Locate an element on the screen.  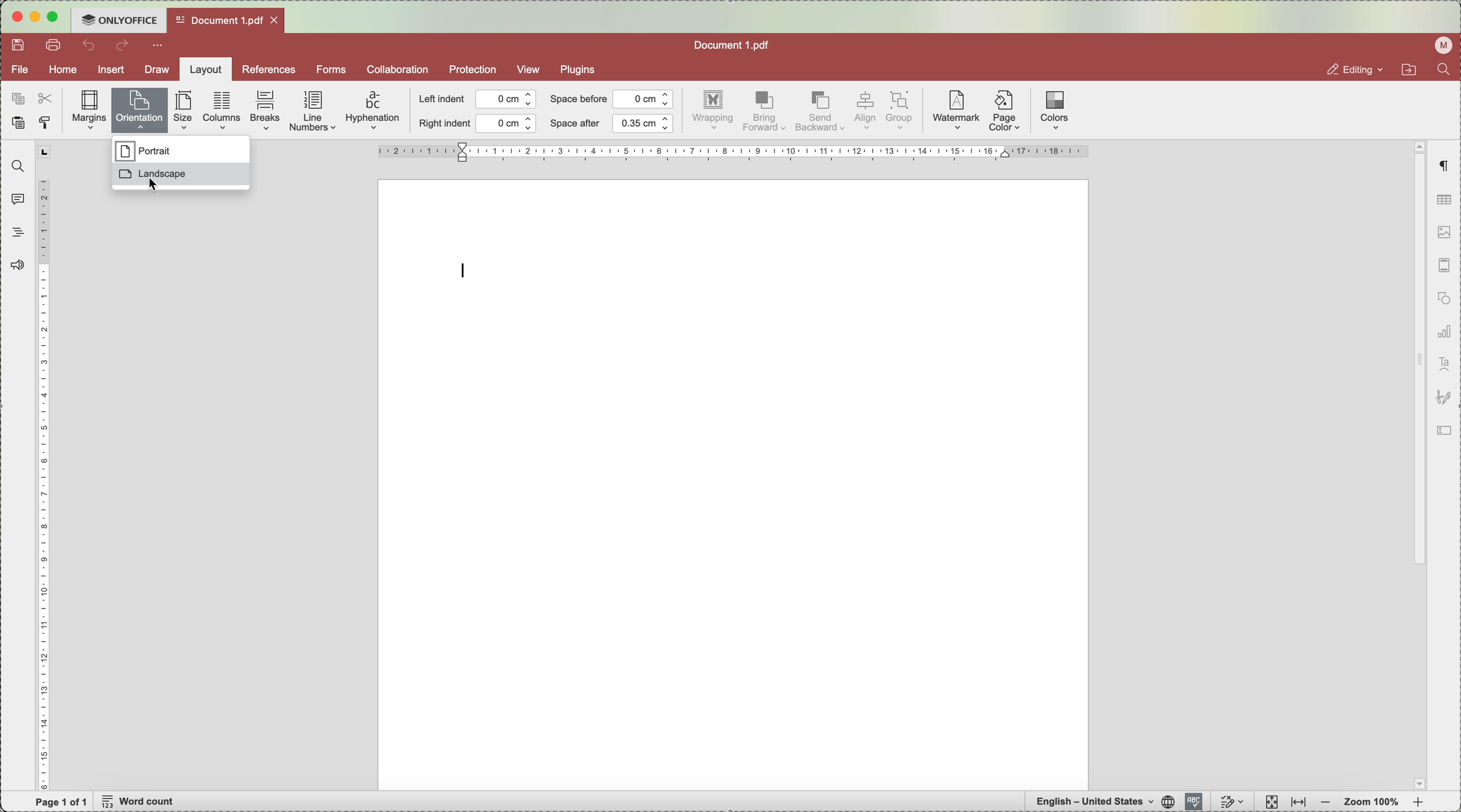
file name is located at coordinates (734, 44).